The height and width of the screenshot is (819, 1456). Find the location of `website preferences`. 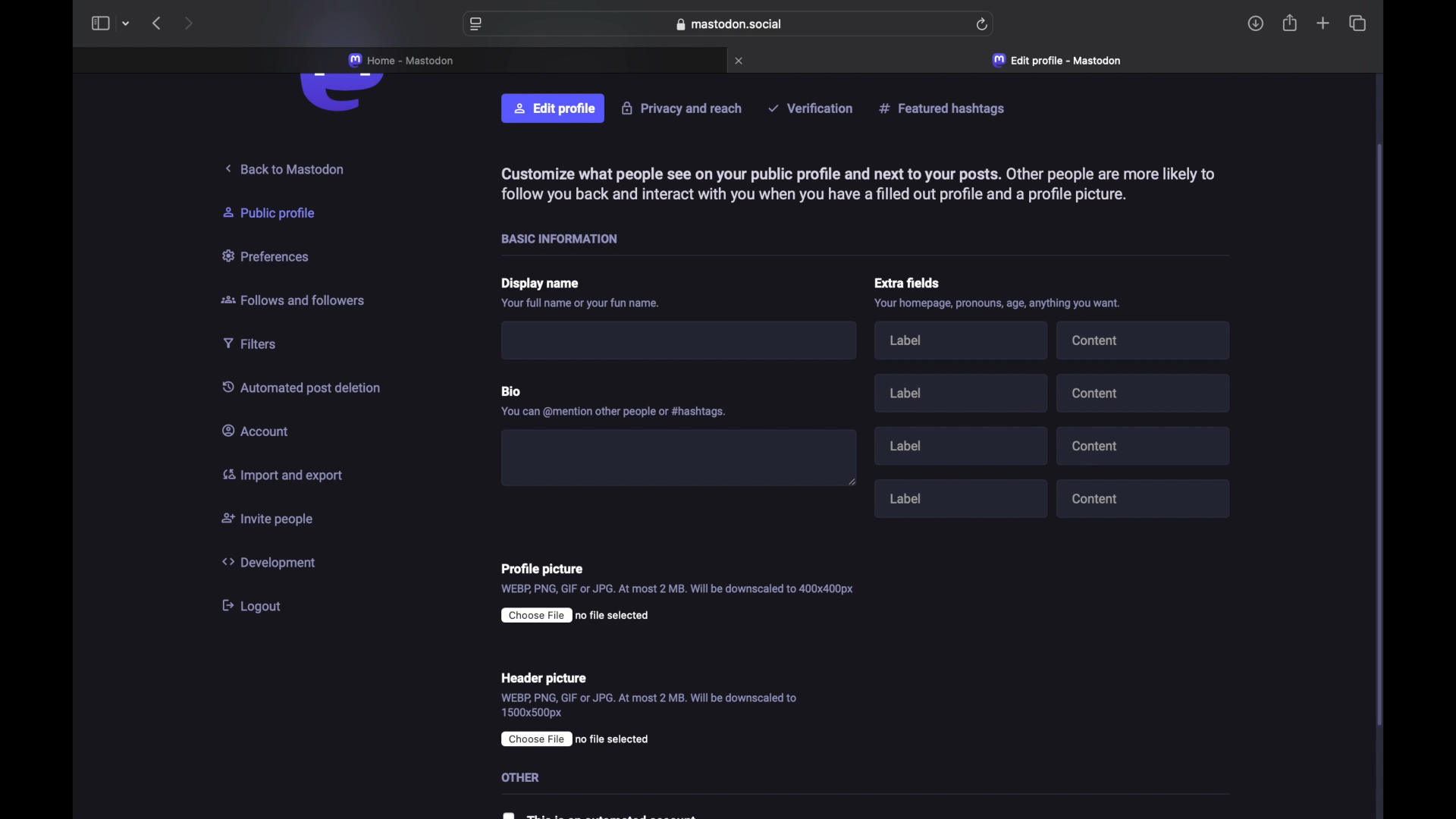

website preferences is located at coordinates (475, 25).